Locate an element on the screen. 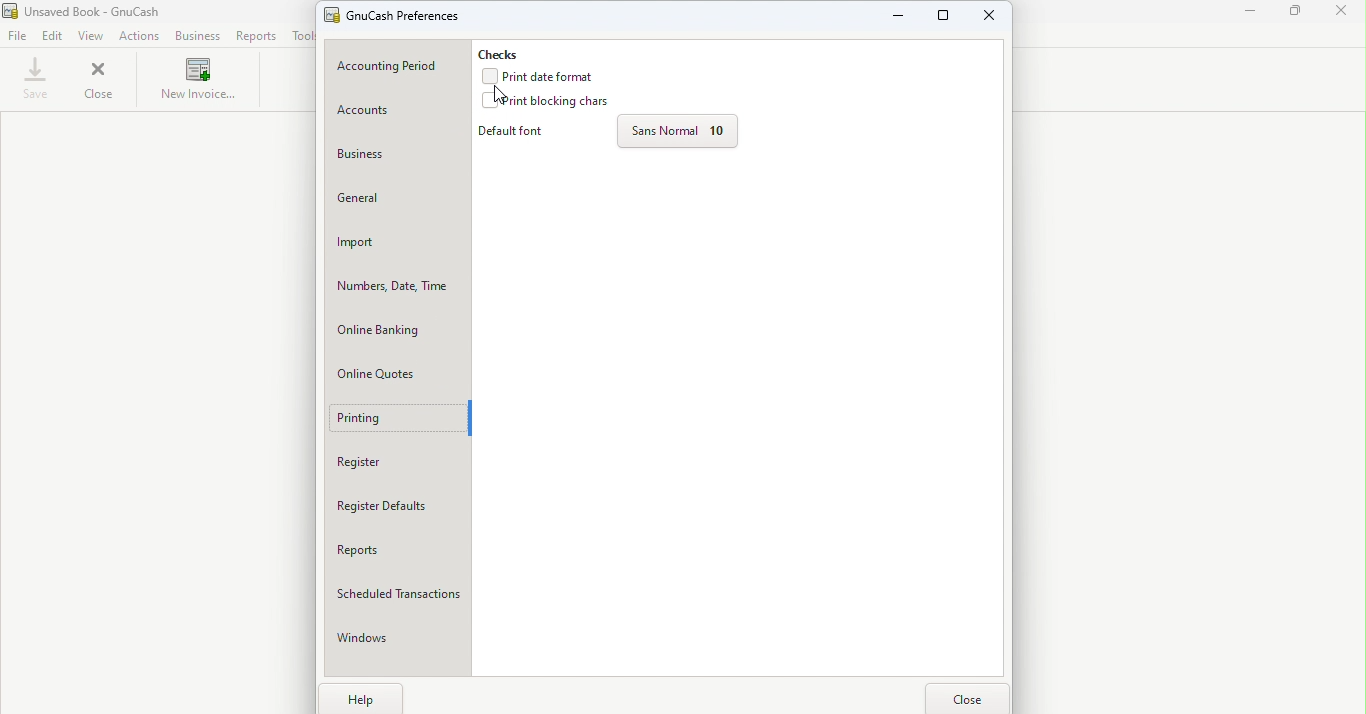 This screenshot has height=714, width=1366. Business is located at coordinates (197, 37).